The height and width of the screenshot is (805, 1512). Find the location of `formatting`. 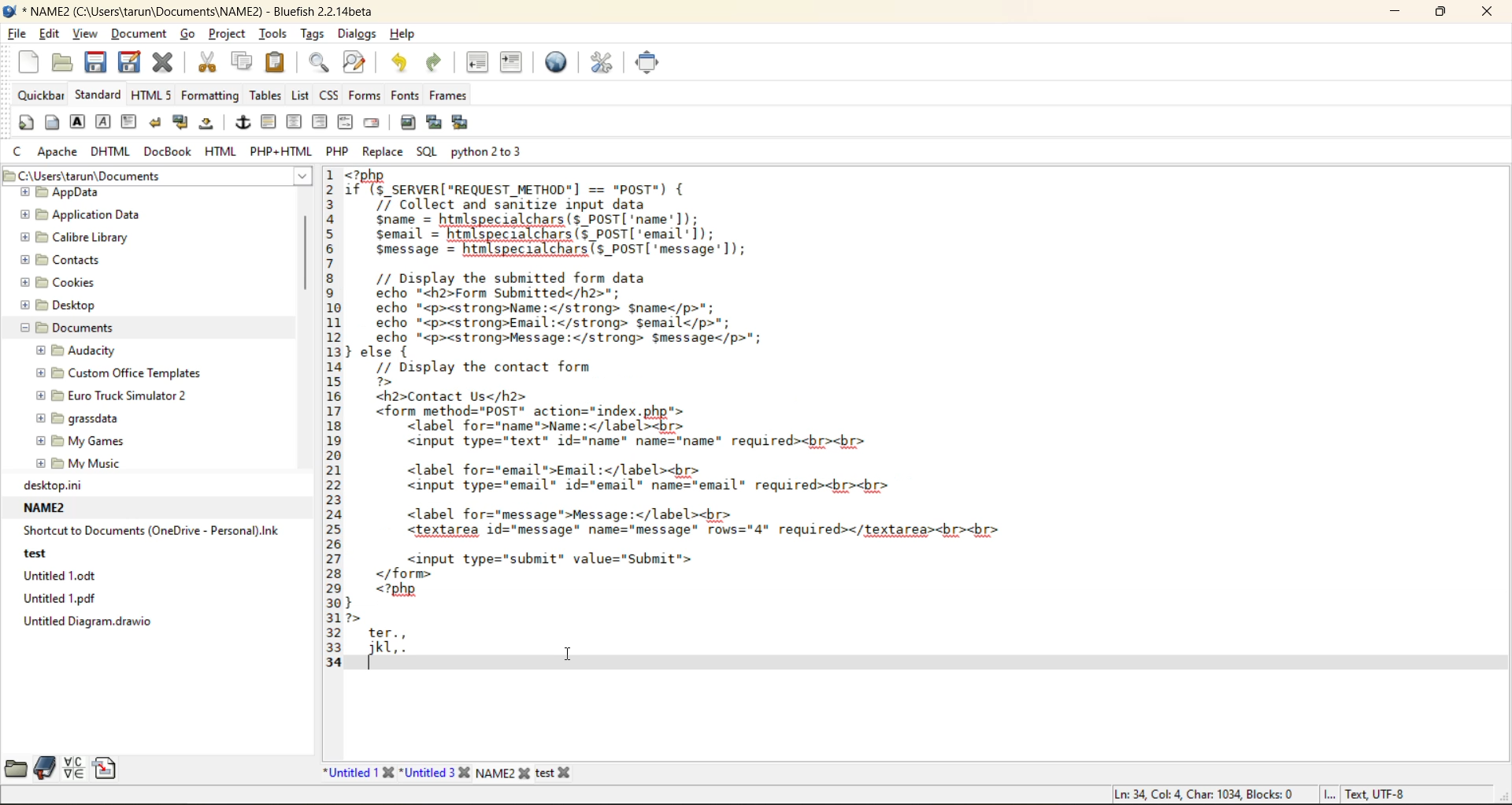

formatting is located at coordinates (213, 97).